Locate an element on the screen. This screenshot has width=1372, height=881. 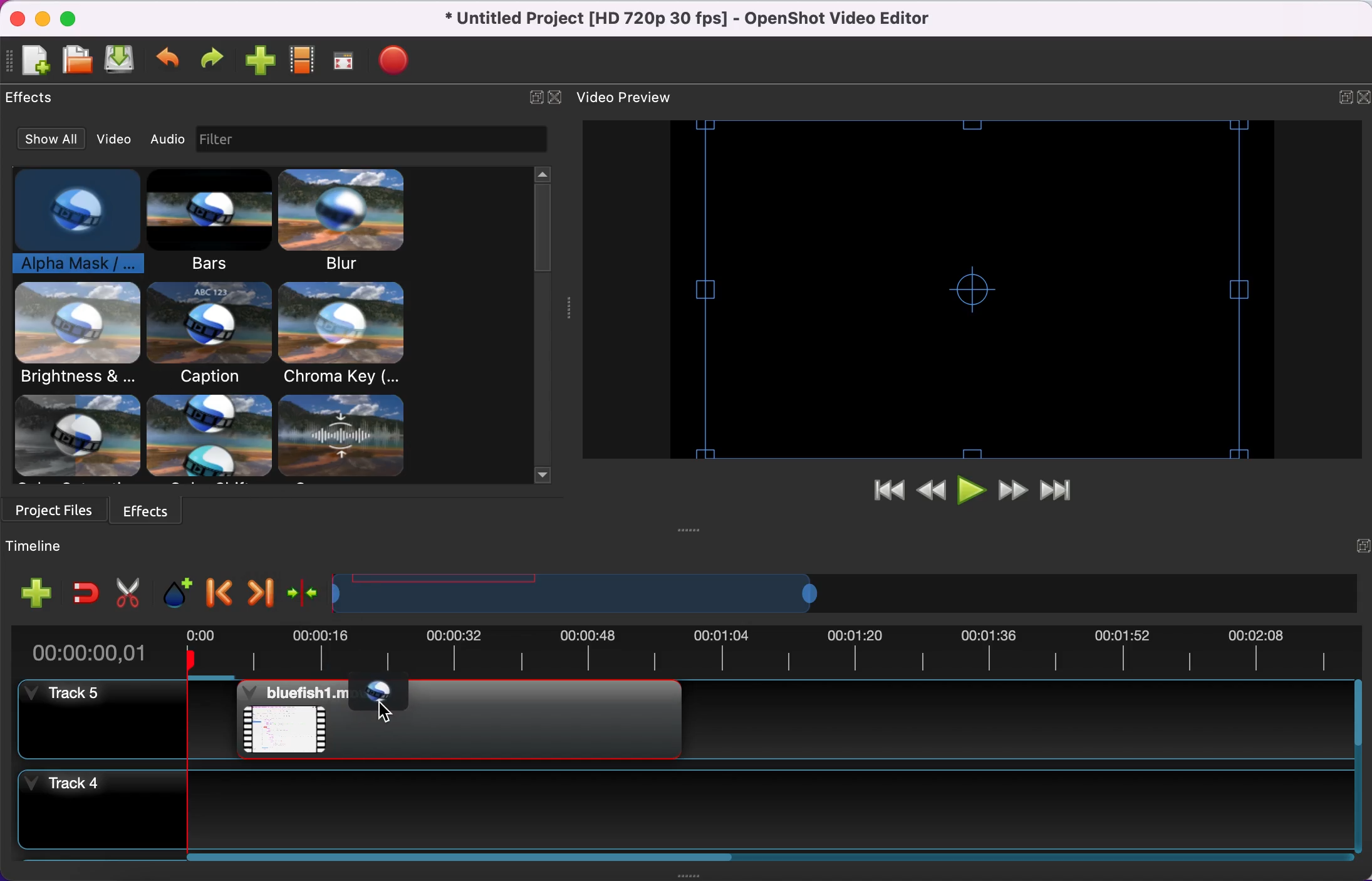
redo is located at coordinates (211, 63).